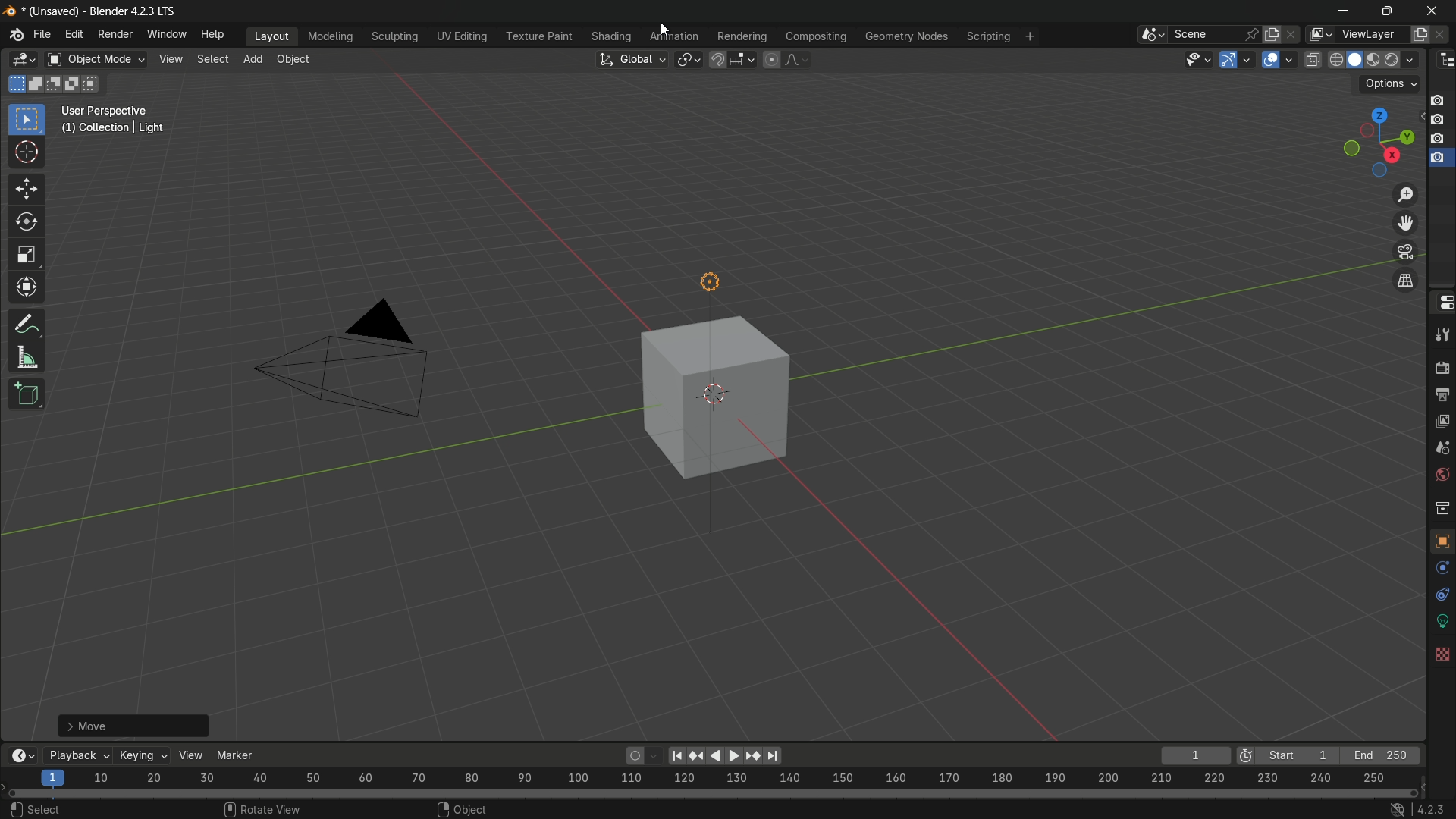 Image resolution: width=1456 pixels, height=819 pixels. I want to click on delete scene, so click(1294, 36).